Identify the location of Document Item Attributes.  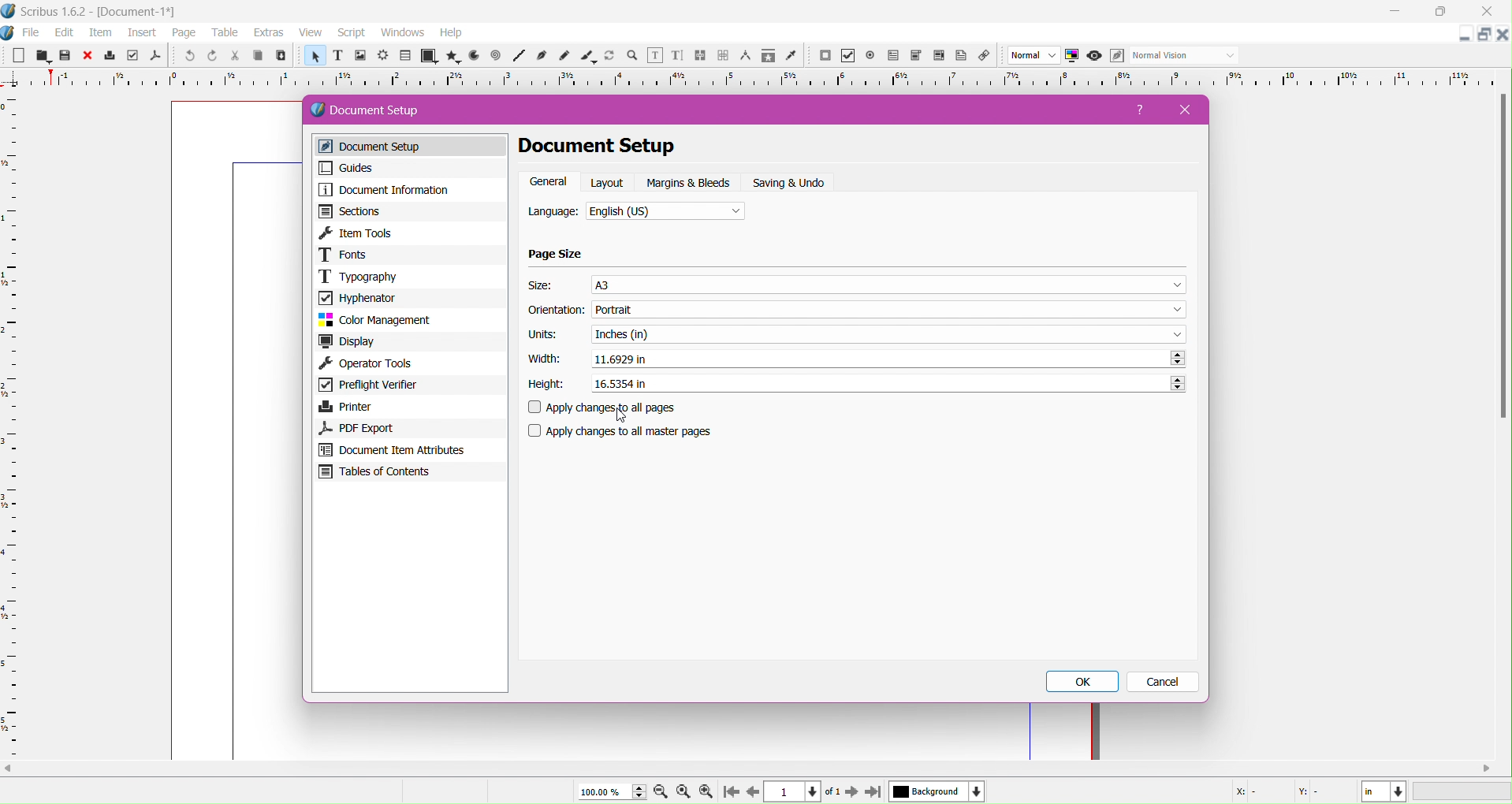
(409, 450).